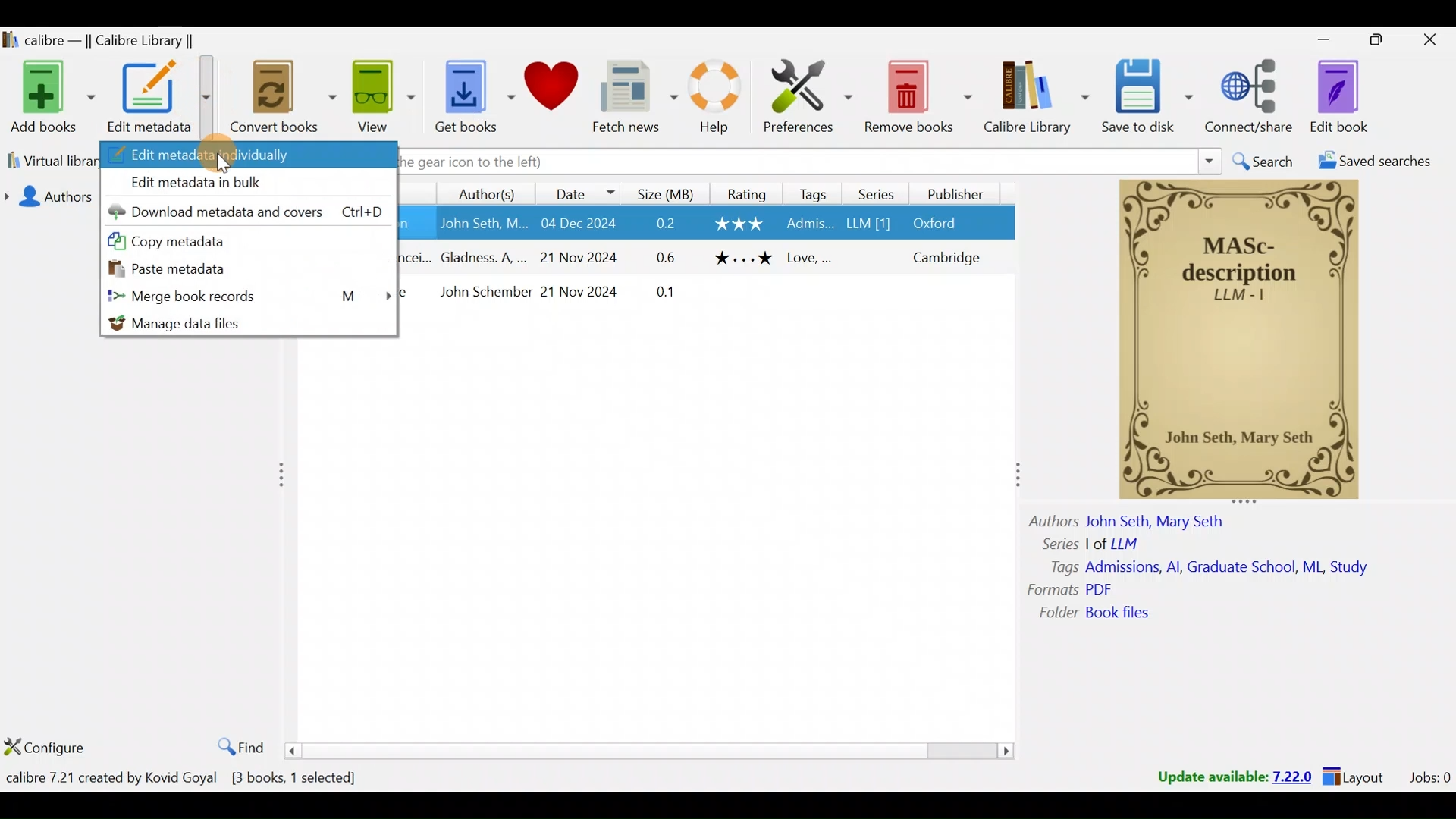 The width and height of the screenshot is (1456, 819). What do you see at coordinates (54, 745) in the screenshot?
I see `Configure` at bounding box center [54, 745].